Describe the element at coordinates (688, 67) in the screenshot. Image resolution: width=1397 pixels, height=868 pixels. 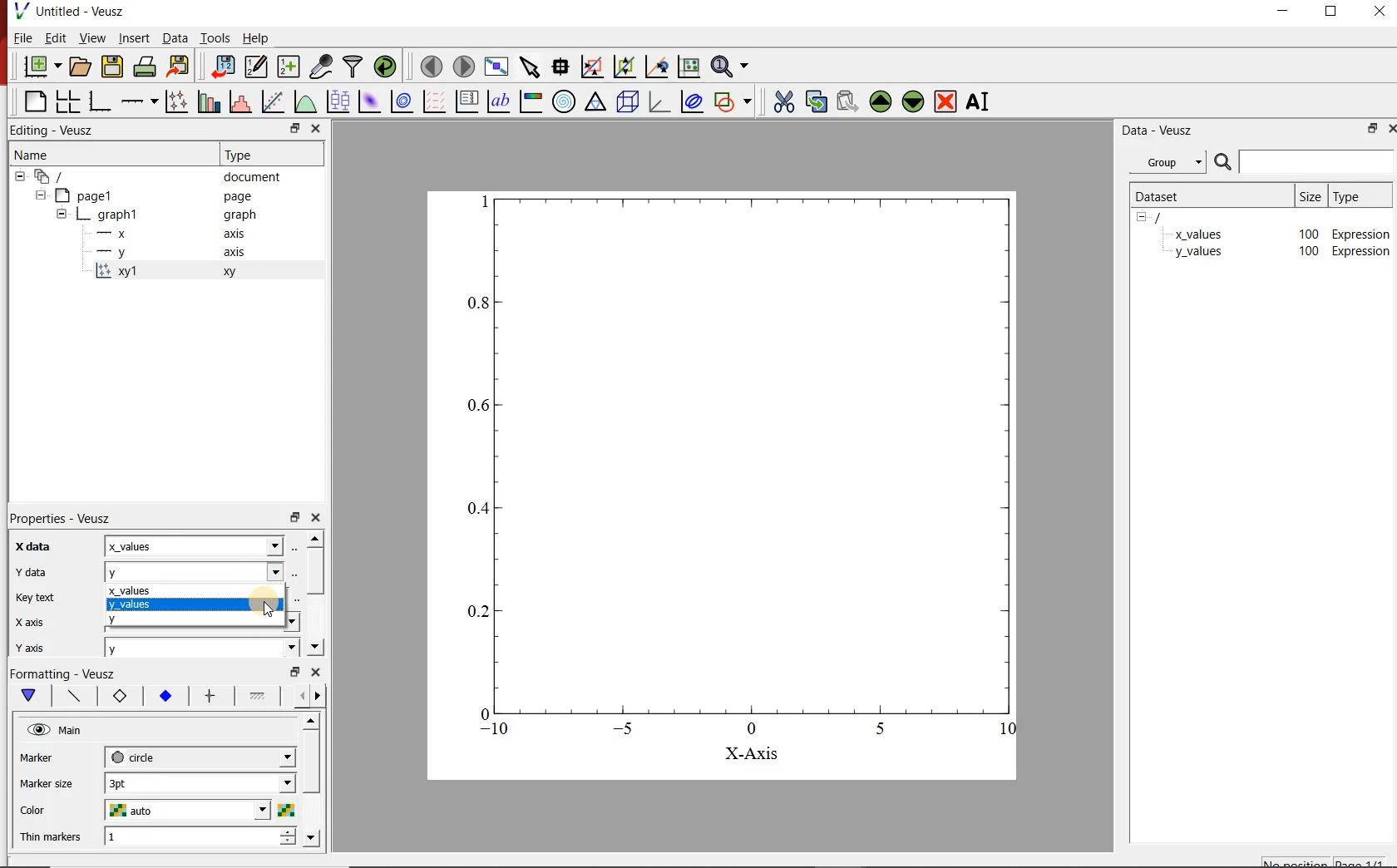
I see `click to reset graph axes` at that location.